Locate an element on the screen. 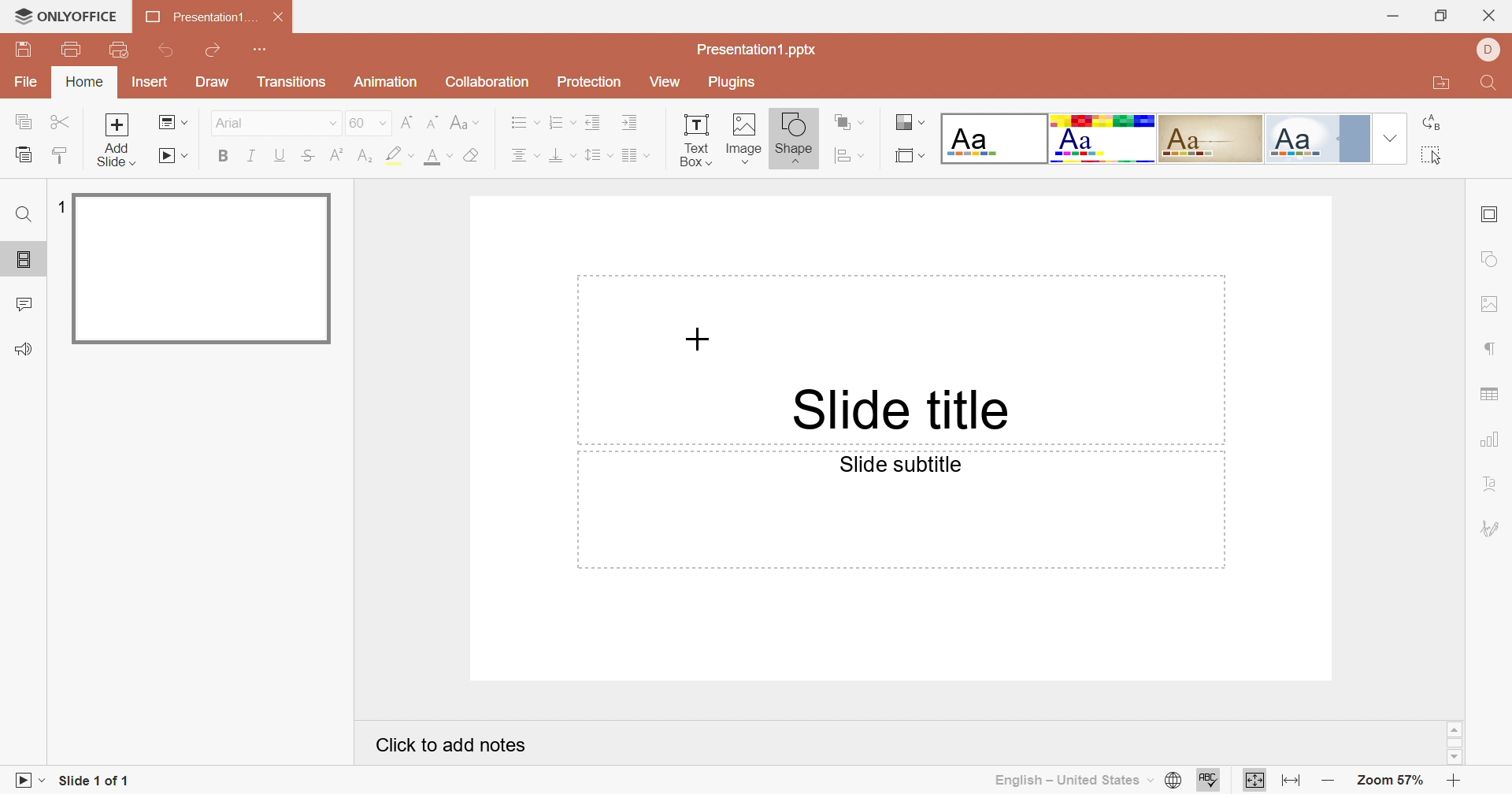 This screenshot has width=1512, height=794. Shape settings is located at coordinates (1493, 258).